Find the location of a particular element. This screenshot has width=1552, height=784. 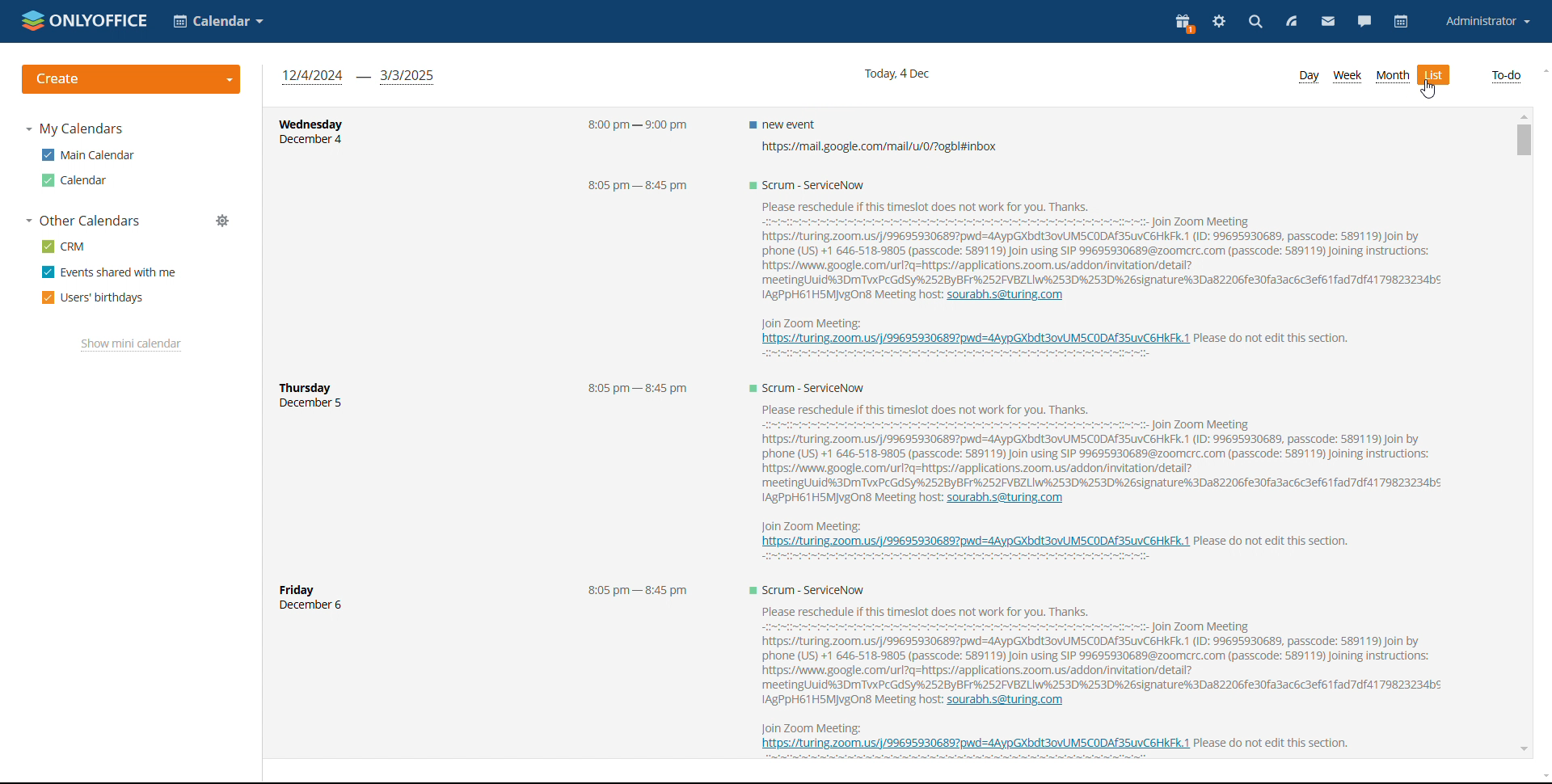

my calendars is located at coordinates (75, 129).